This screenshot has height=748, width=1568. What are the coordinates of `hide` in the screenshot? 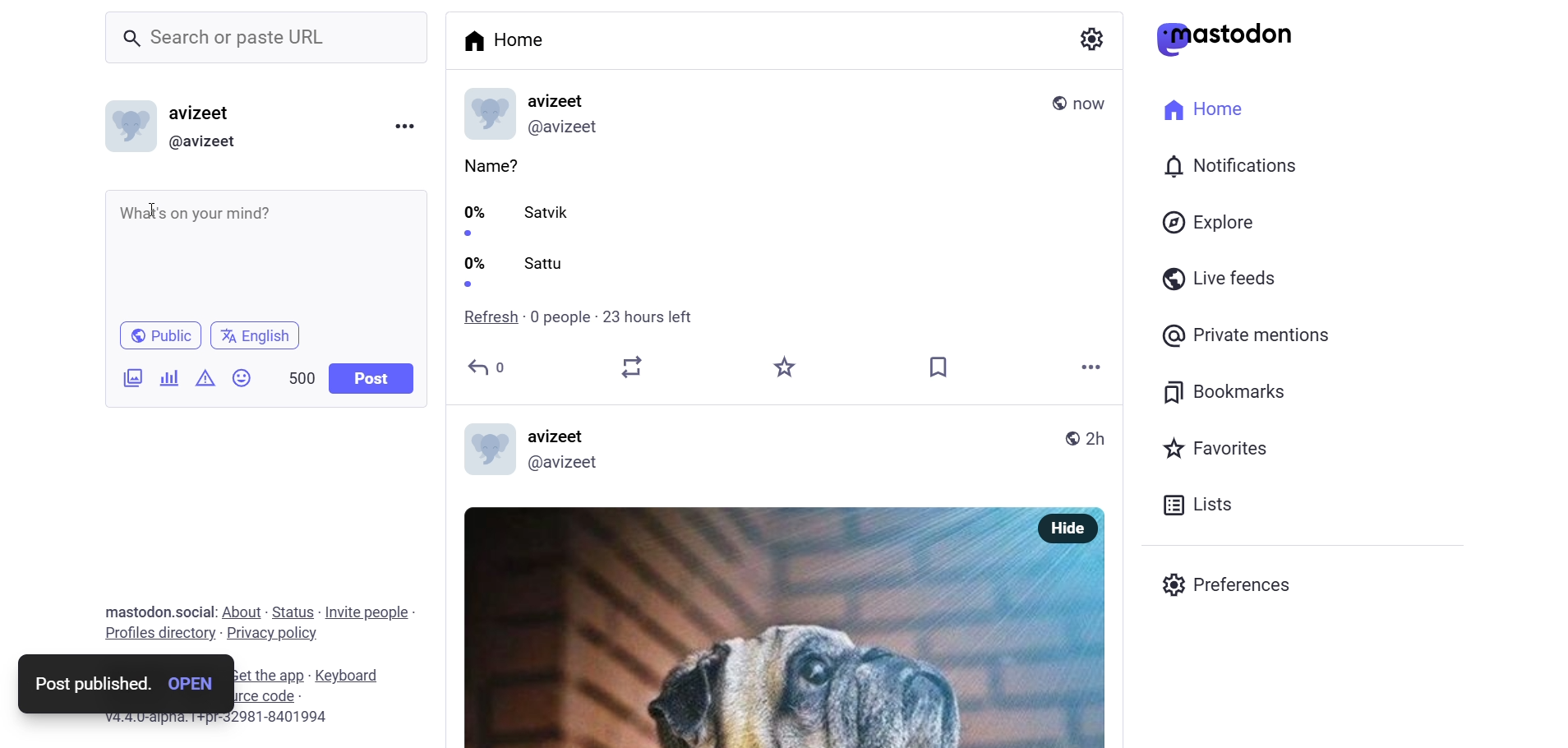 It's located at (1068, 529).